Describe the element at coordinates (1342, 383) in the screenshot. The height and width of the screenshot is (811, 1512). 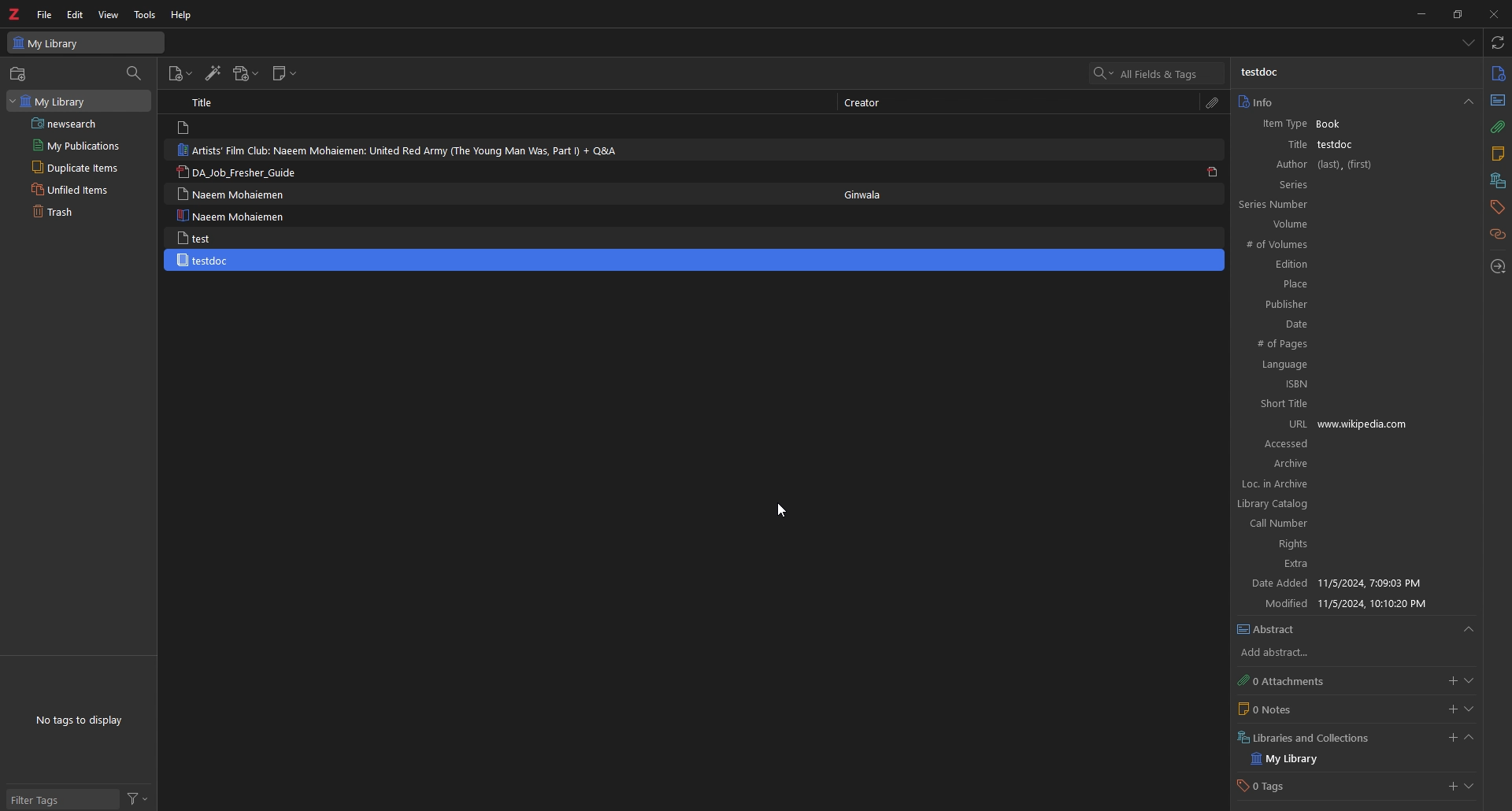
I see `ISBN` at that location.